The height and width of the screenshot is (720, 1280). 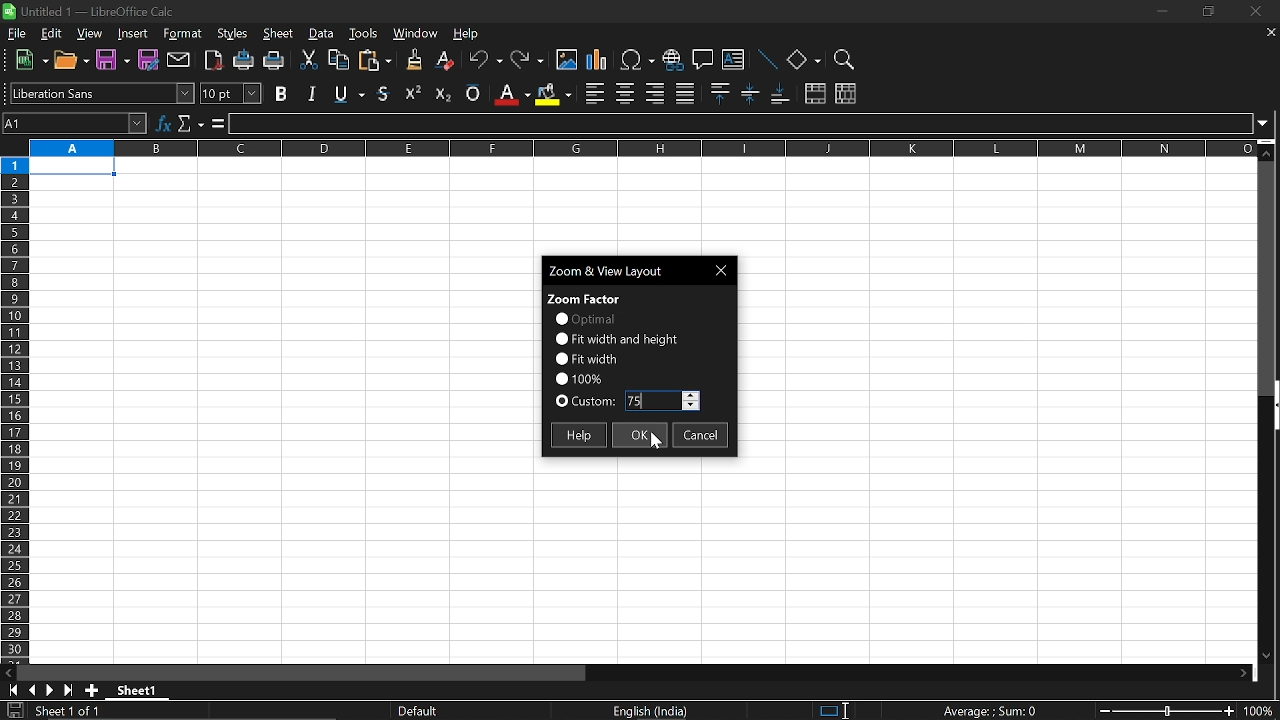 What do you see at coordinates (14, 711) in the screenshot?
I see `save` at bounding box center [14, 711].